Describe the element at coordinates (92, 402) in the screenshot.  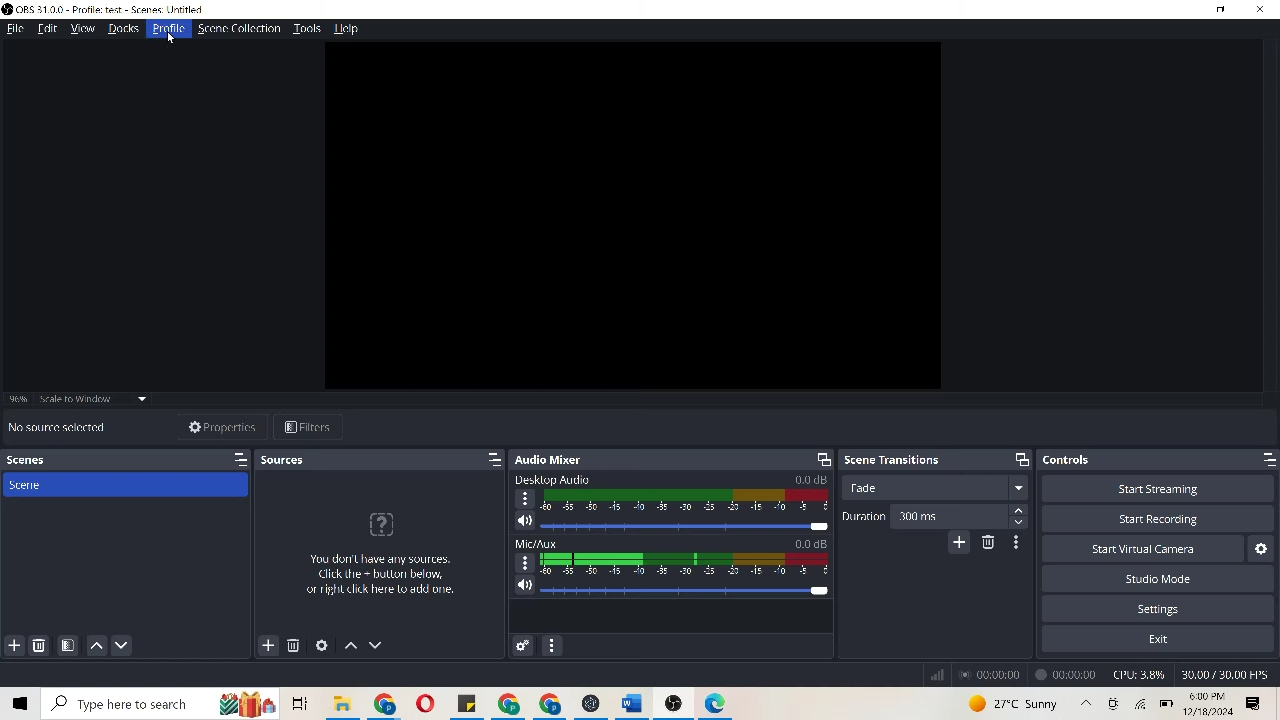
I see `scale to window` at that location.